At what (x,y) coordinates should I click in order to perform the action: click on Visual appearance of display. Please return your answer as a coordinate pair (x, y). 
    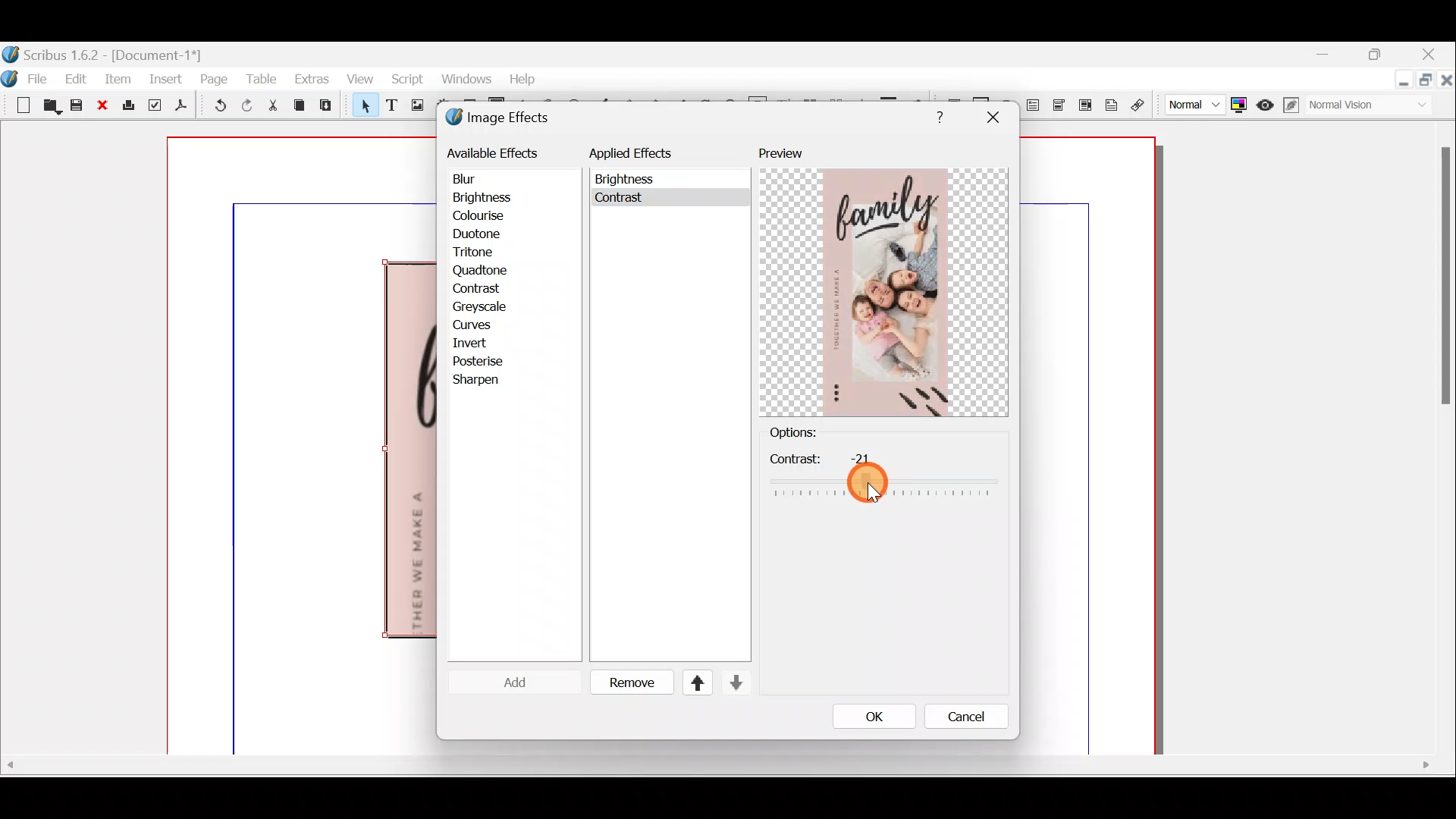
    Looking at the image, I should click on (1376, 106).